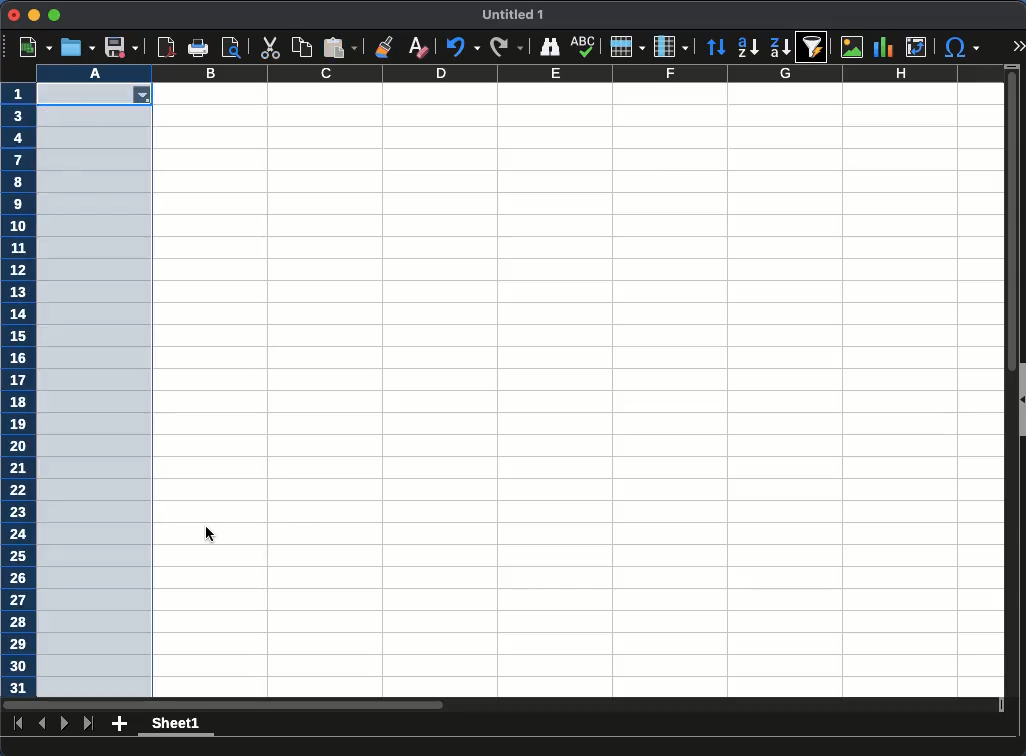 Image resolution: width=1026 pixels, height=756 pixels. What do you see at coordinates (44, 723) in the screenshot?
I see `previous sheet` at bounding box center [44, 723].